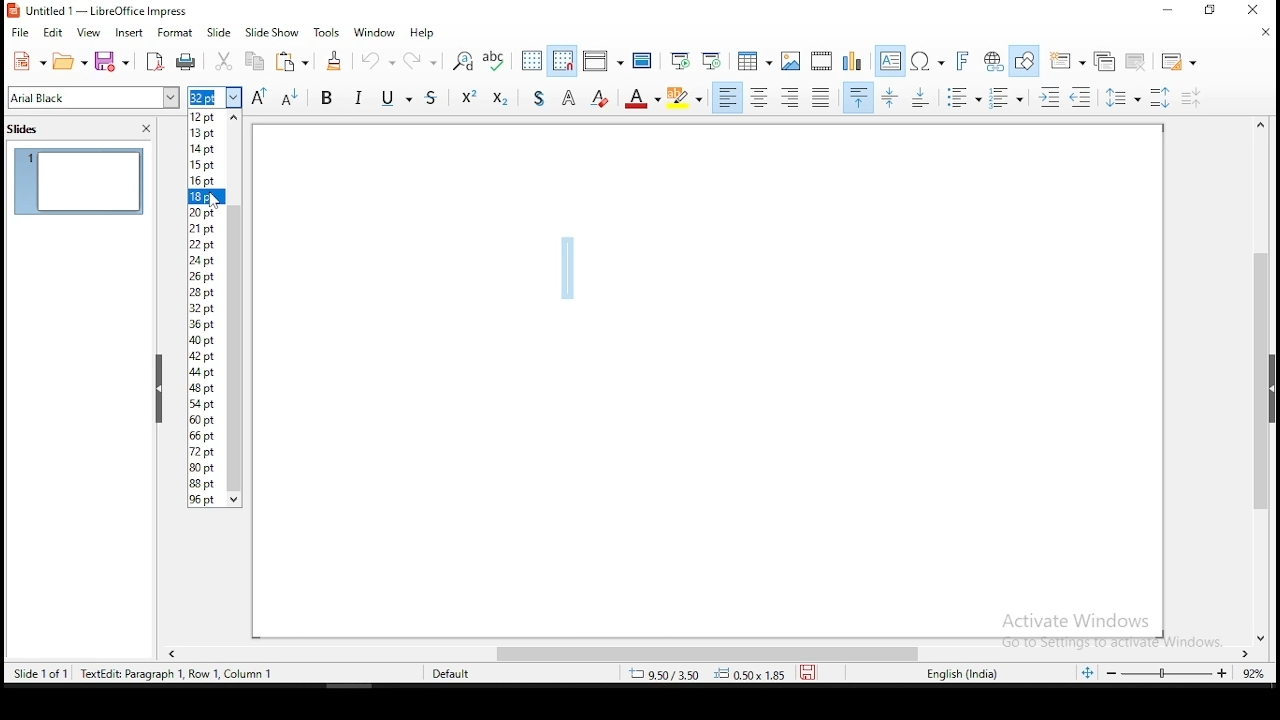 The image size is (1280, 720). I want to click on slide layout, so click(1181, 62).